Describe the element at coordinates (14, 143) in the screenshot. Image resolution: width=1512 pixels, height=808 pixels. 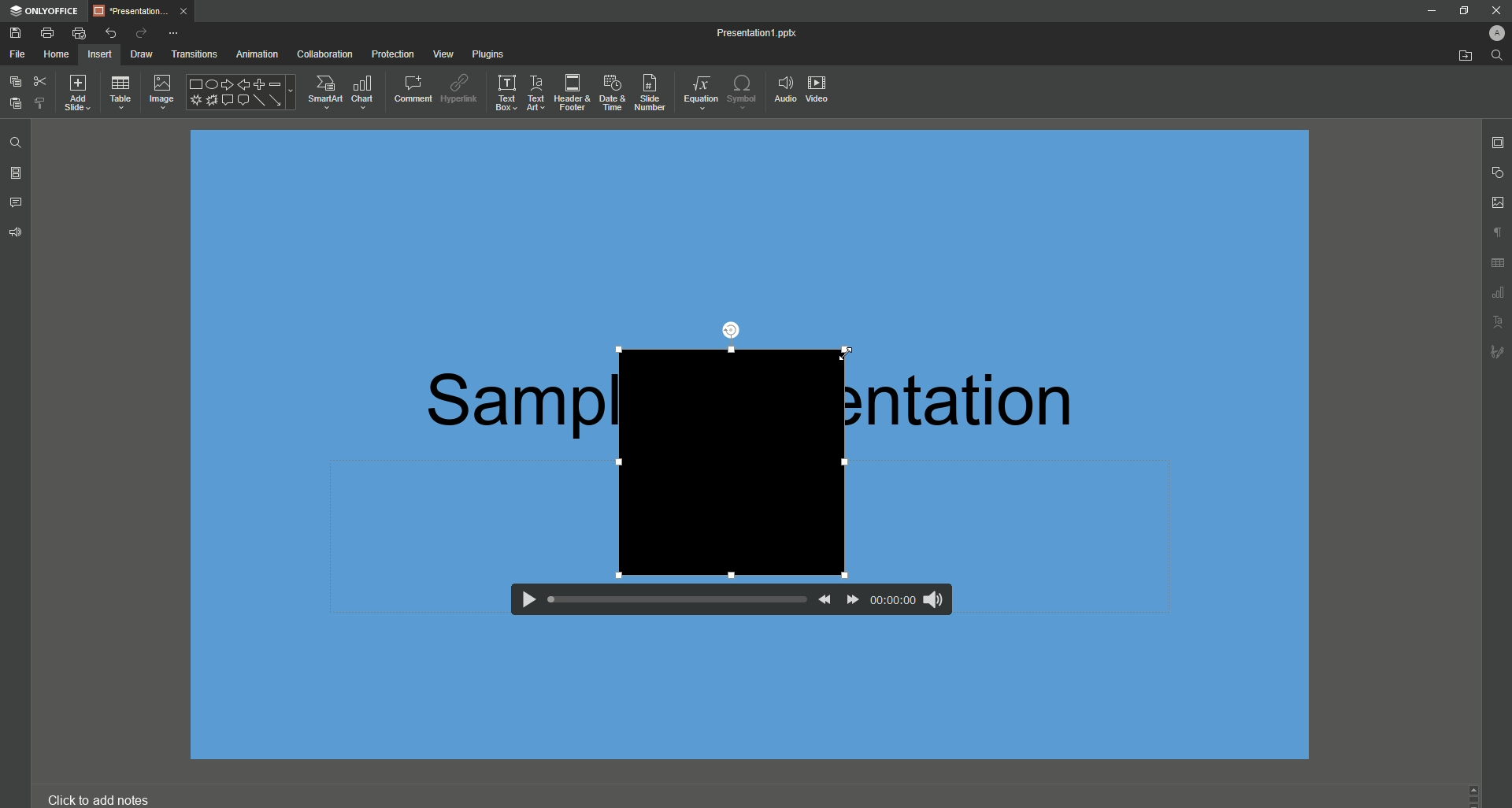
I see `Find` at that location.